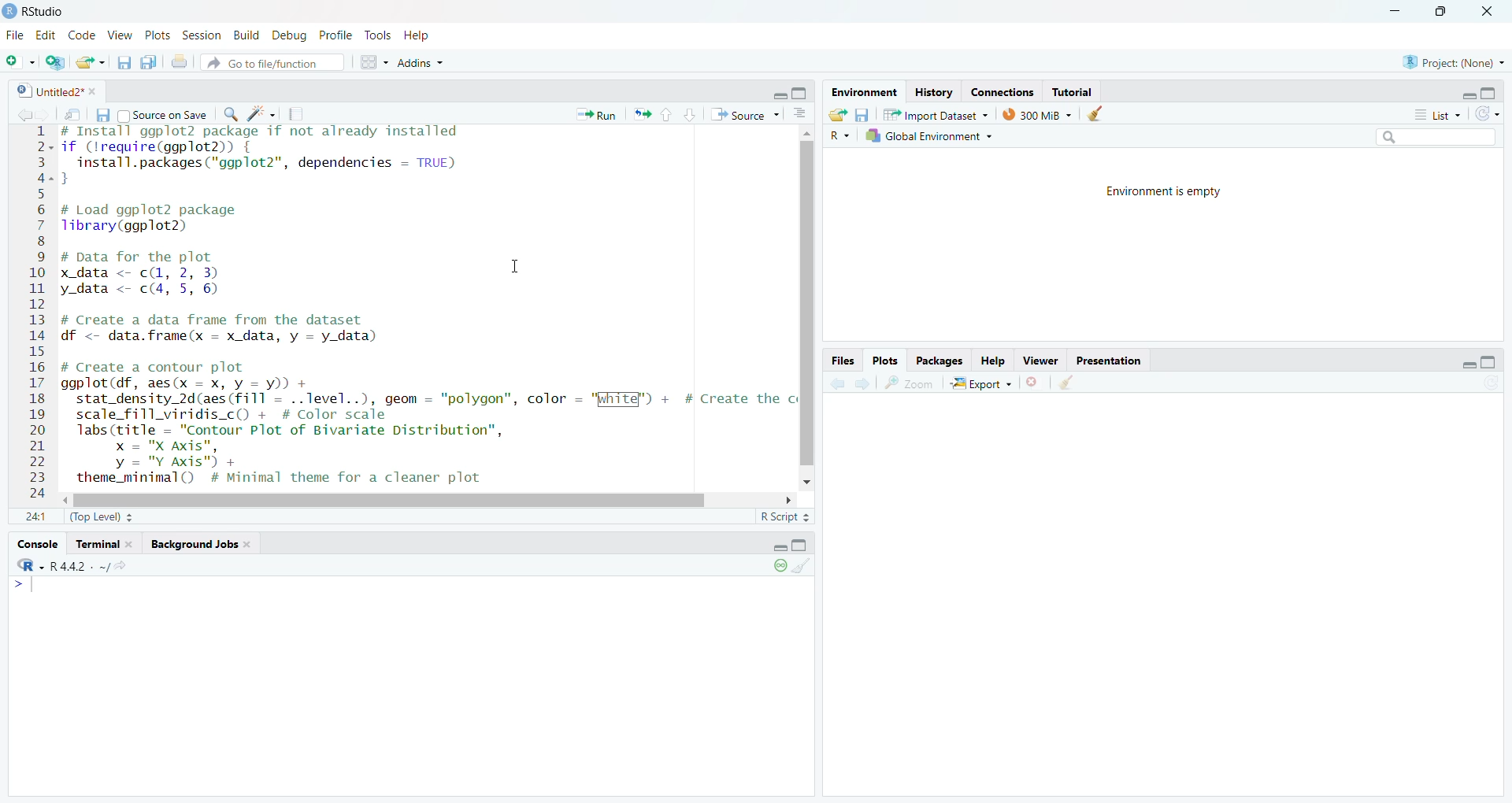  I want to click on hide r script, so click(1466, 362).